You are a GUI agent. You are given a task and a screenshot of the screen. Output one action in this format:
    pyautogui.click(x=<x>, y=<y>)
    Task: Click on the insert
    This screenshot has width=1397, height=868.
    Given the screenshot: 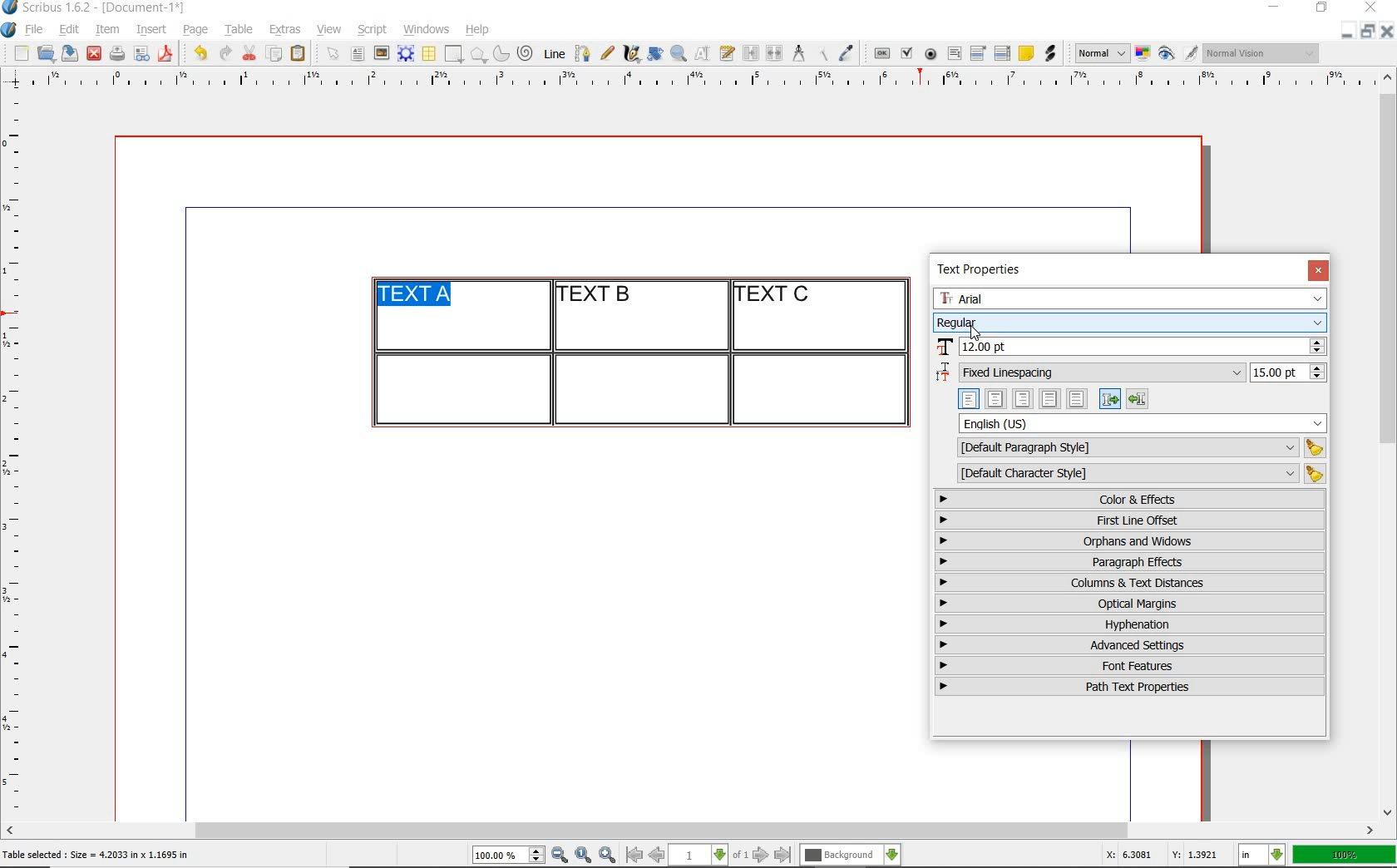 What is the action you would take?
    pyautogui.click(x=151, y=30)
    